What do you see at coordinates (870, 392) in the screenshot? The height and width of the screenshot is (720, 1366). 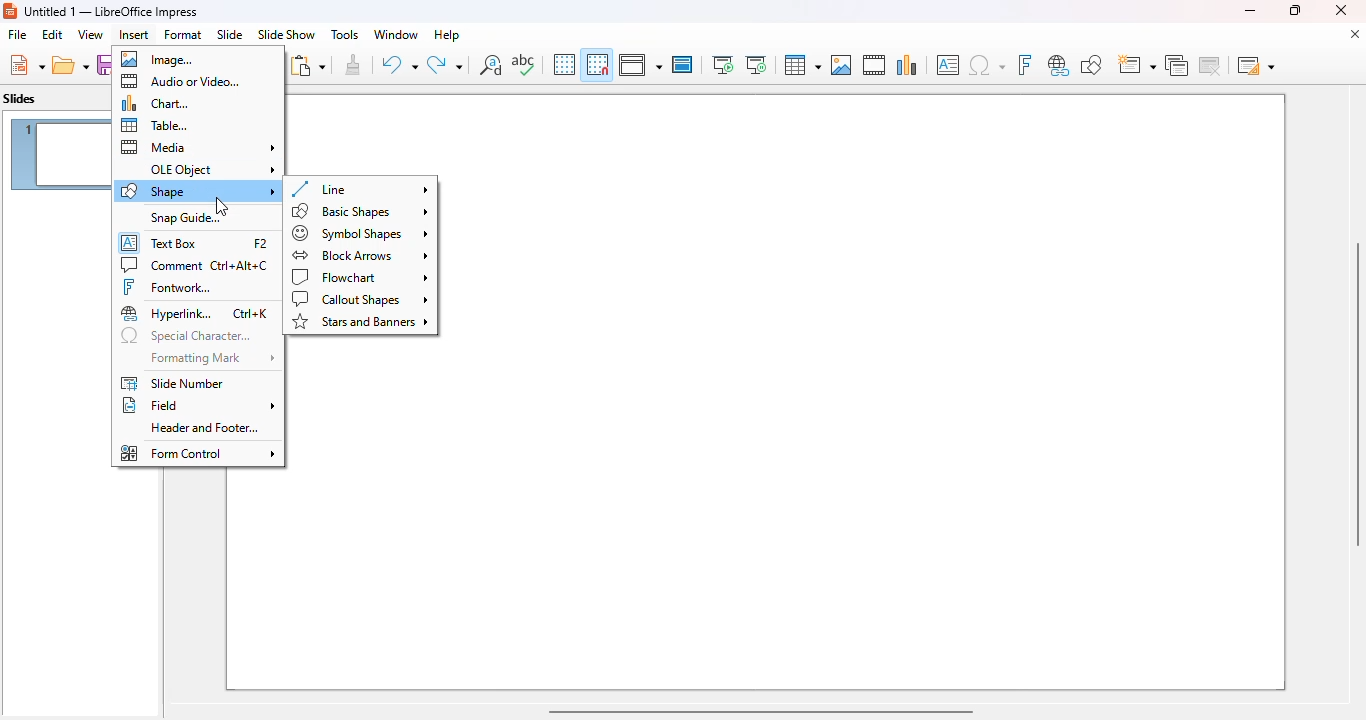 I see `slide 1` at bounding box center [870, 392].